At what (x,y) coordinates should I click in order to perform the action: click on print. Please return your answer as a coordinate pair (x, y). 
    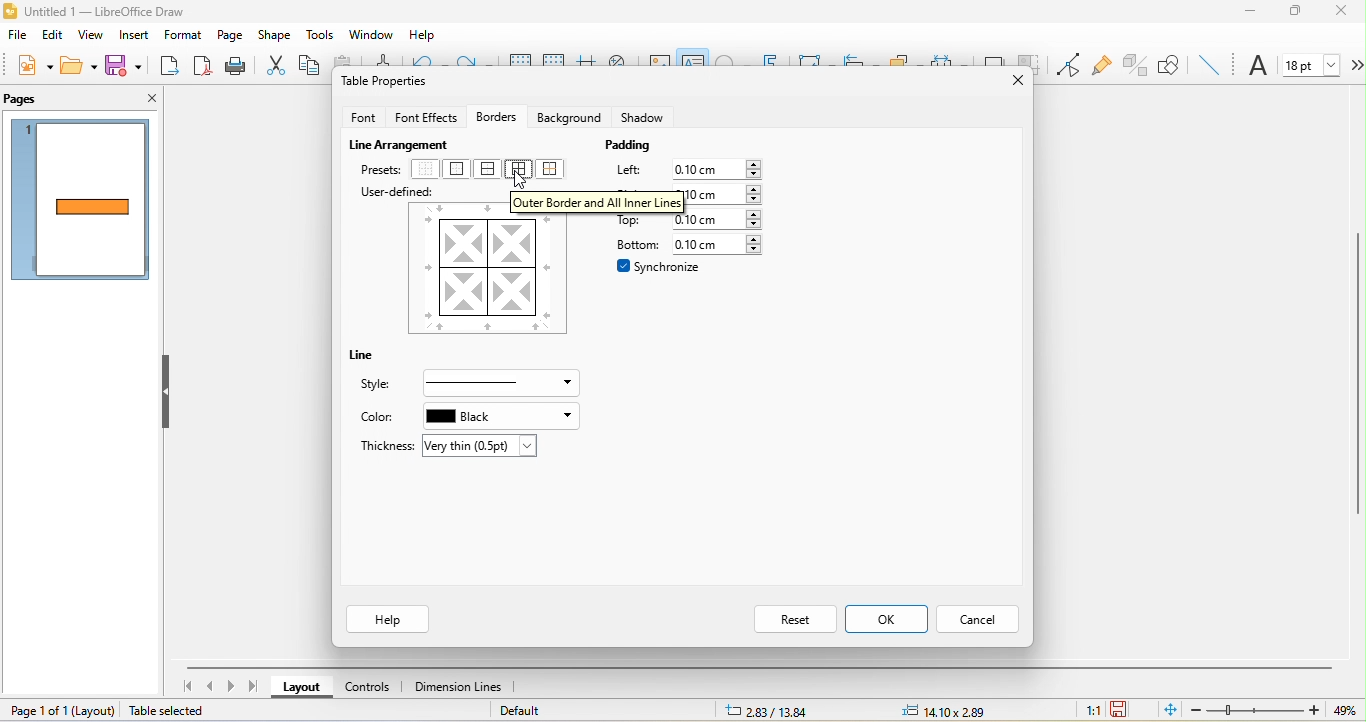
    Looking at the image, I should click on (235, 65).